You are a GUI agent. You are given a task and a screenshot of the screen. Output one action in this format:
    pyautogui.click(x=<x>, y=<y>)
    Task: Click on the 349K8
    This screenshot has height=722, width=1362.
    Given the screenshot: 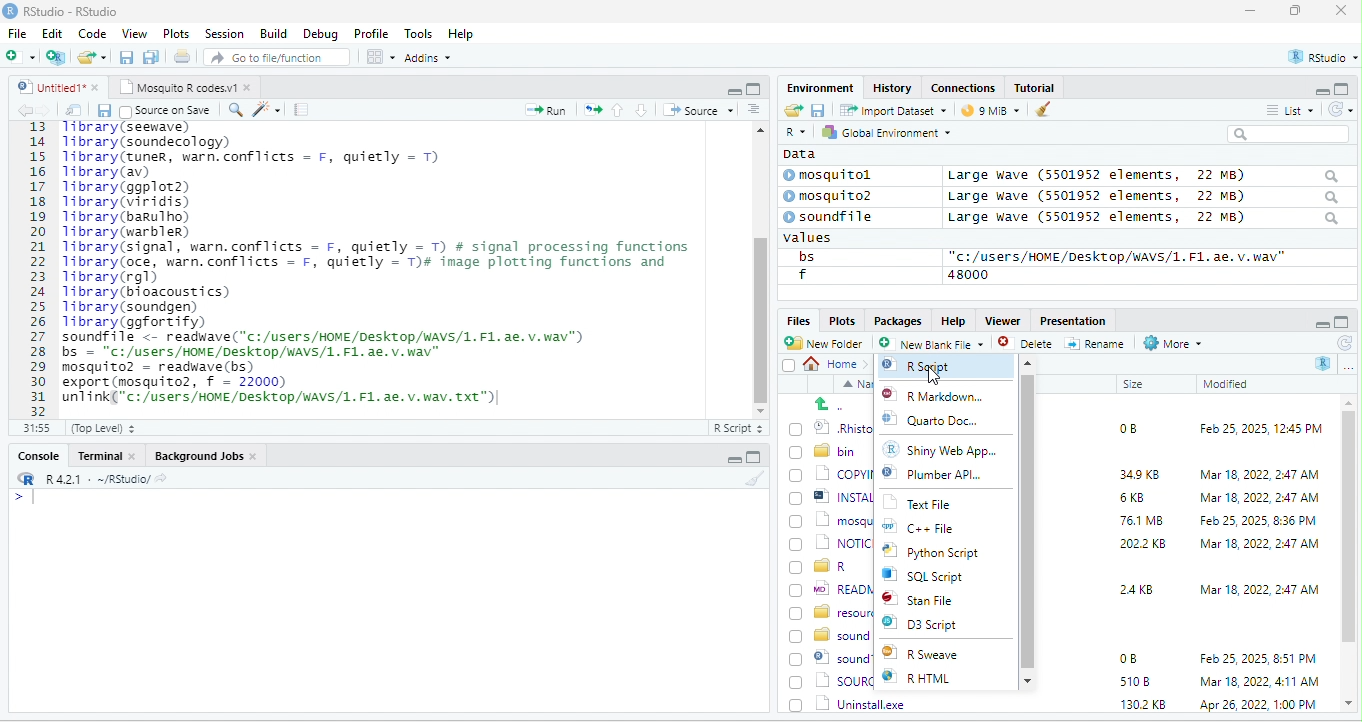 What is the action you would take?
    pyautogui.click(x=1140, y=475)
    